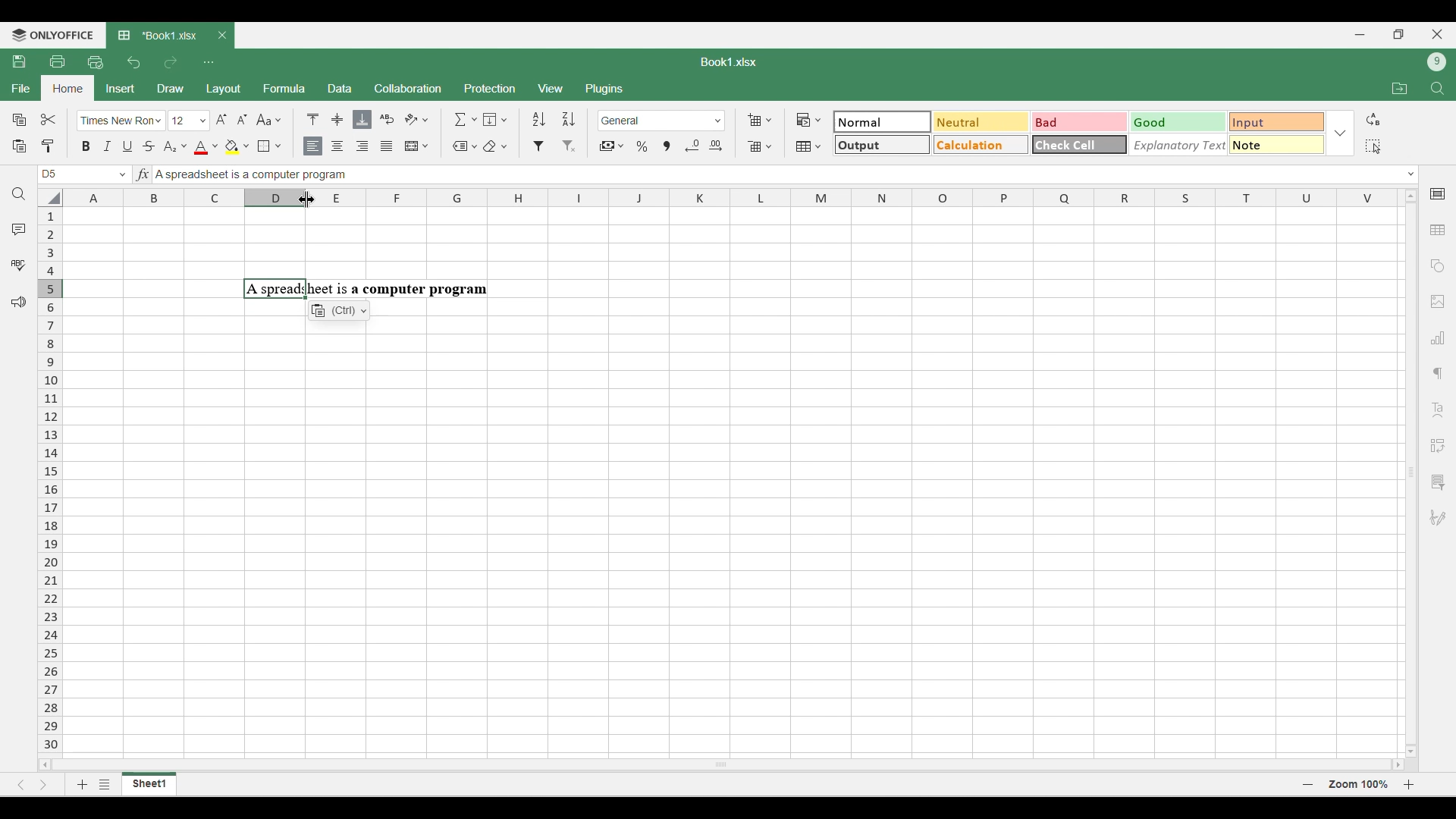 This screenshot has height=819, width=1456. I want to click on Merge and centre options, so click(417, 146).